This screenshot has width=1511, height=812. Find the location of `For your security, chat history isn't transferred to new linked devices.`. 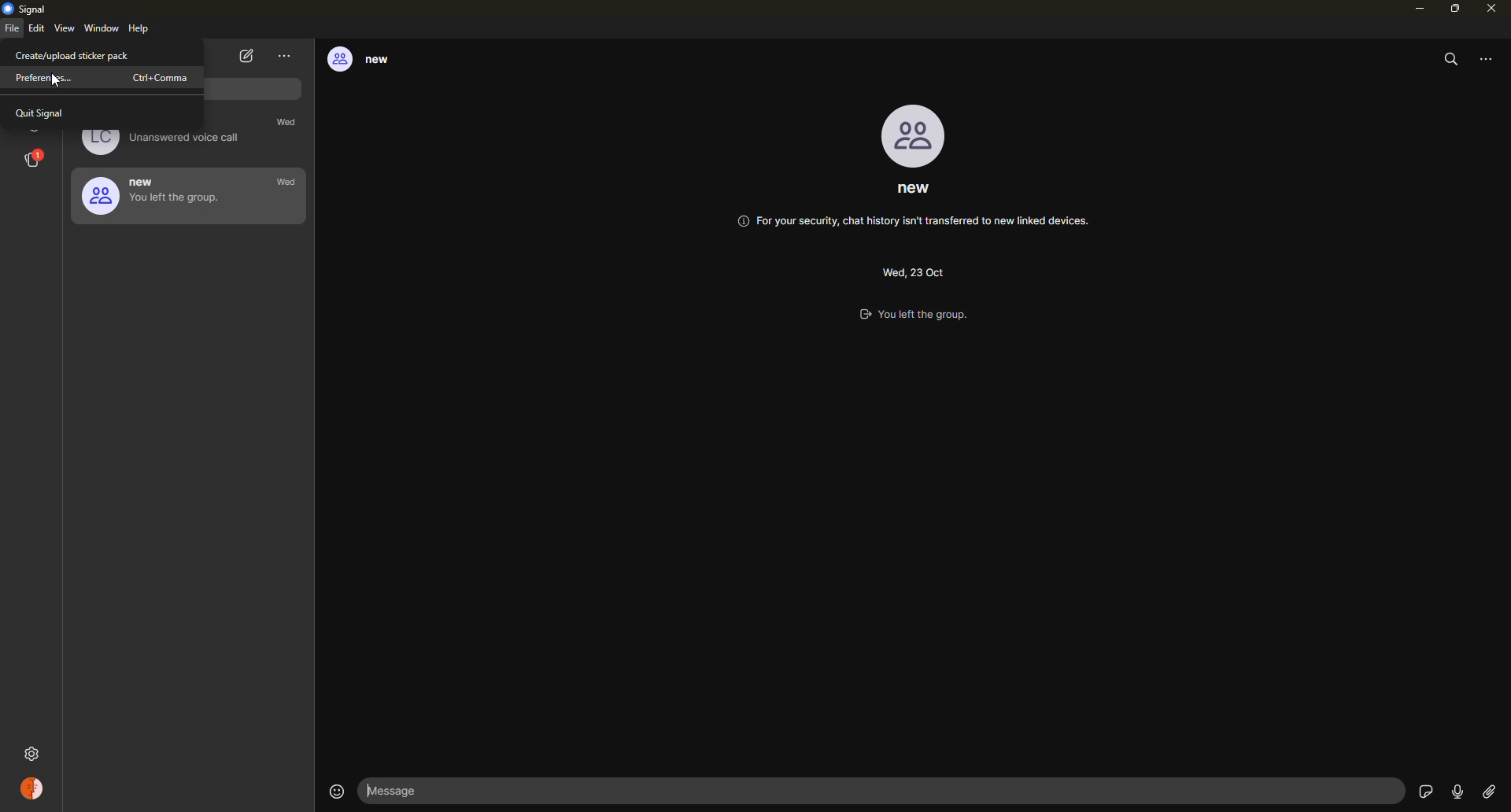

For your security, chat history isn't transferred to new linked devices. is located at coordinates (914, 224).